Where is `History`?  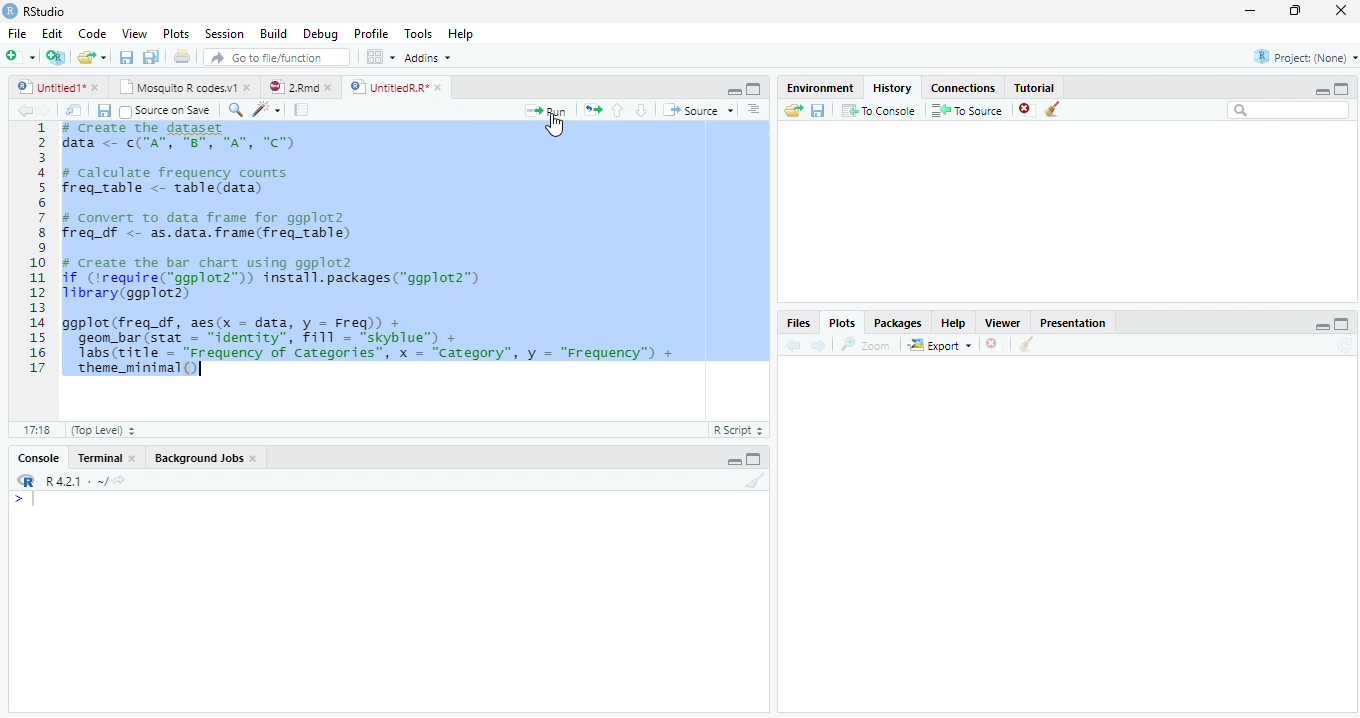 History is located at coordinates (896, 88).